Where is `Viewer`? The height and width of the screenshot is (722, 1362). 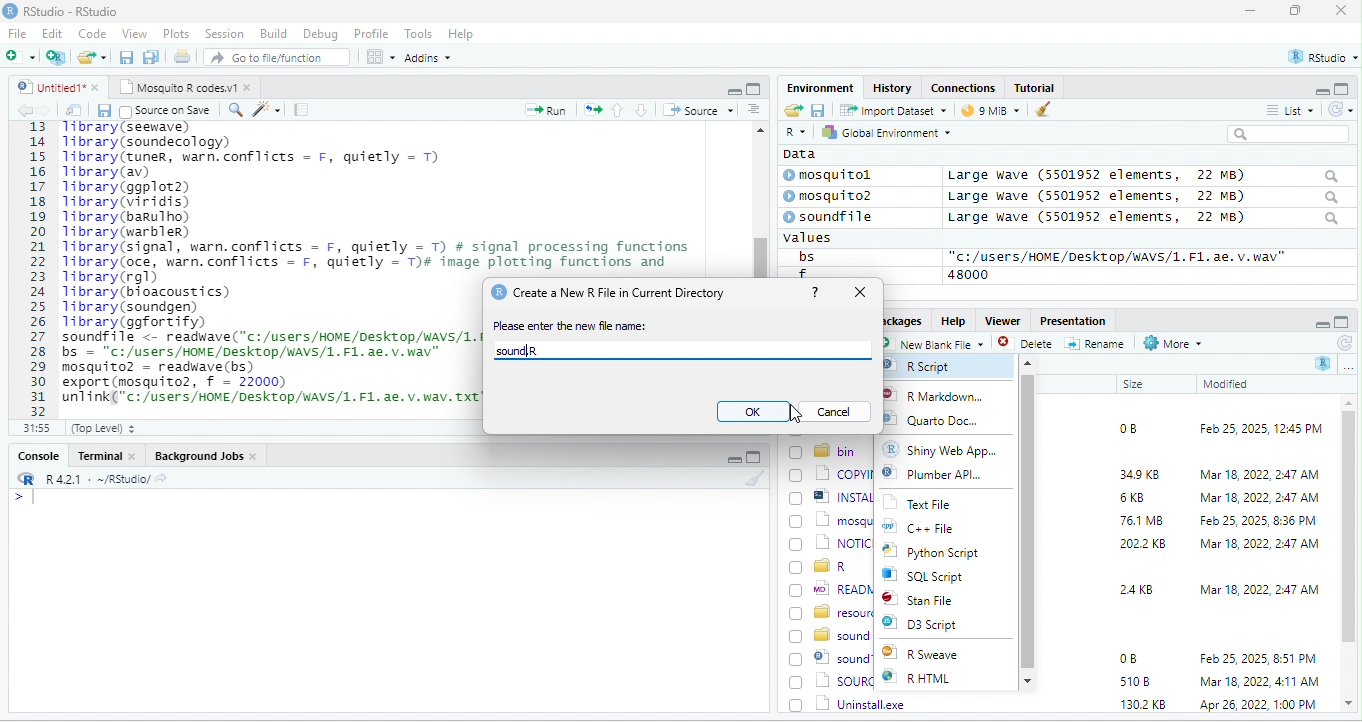
Viewer is located at coordinates (1000, 321).